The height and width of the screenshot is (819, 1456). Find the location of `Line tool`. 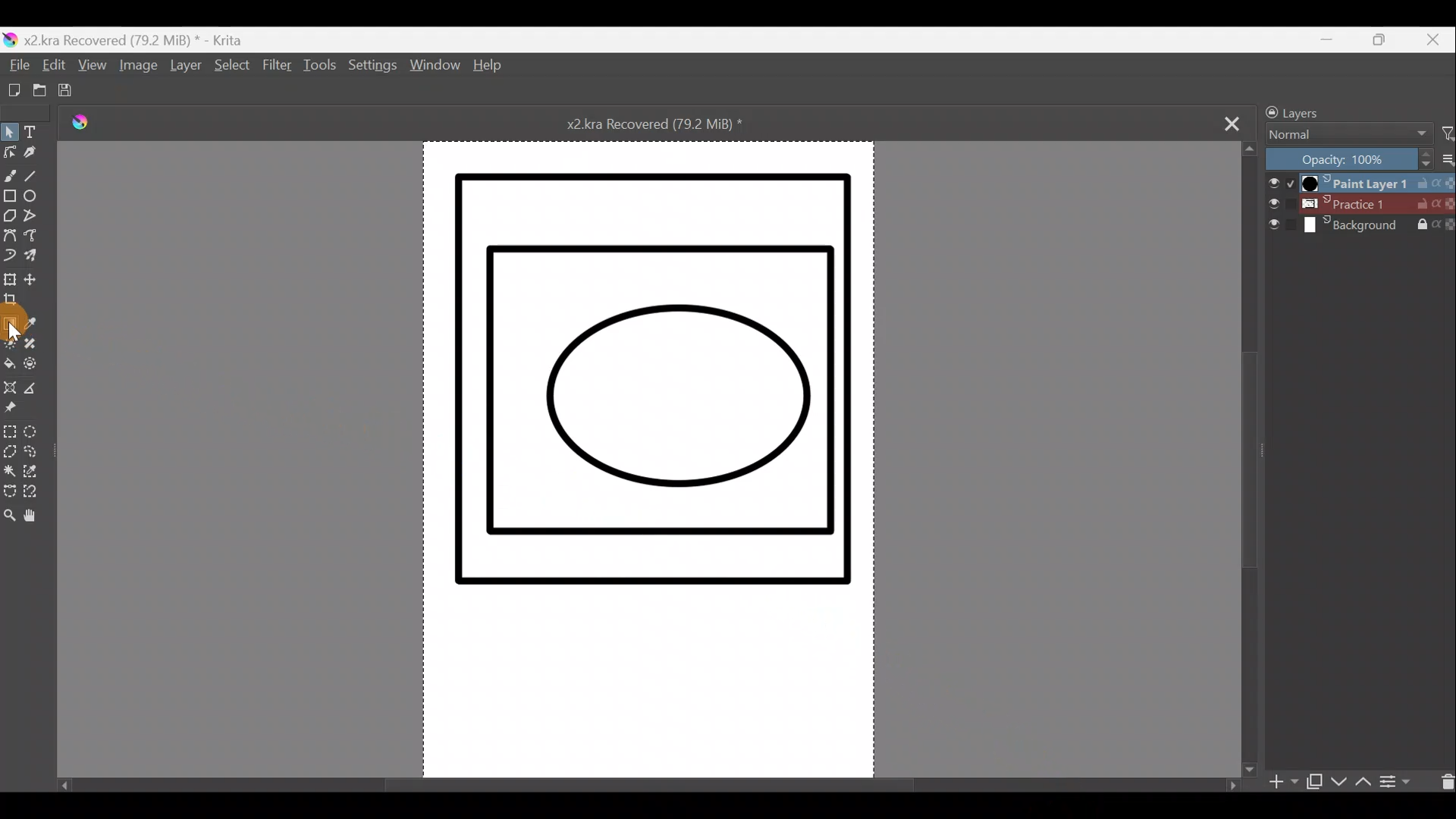

Line tool is located at coordinates (34, 178).